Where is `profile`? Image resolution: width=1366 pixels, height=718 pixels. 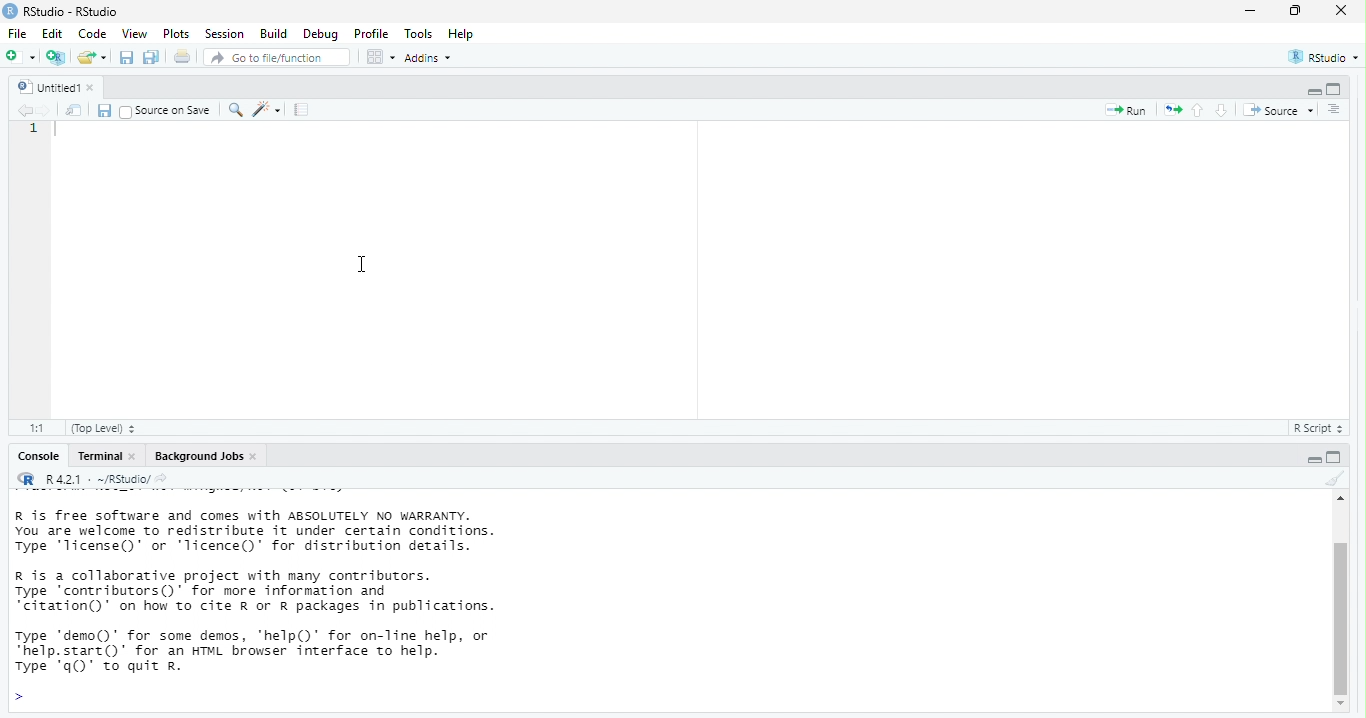
profile is located at coordinates (373, 34).